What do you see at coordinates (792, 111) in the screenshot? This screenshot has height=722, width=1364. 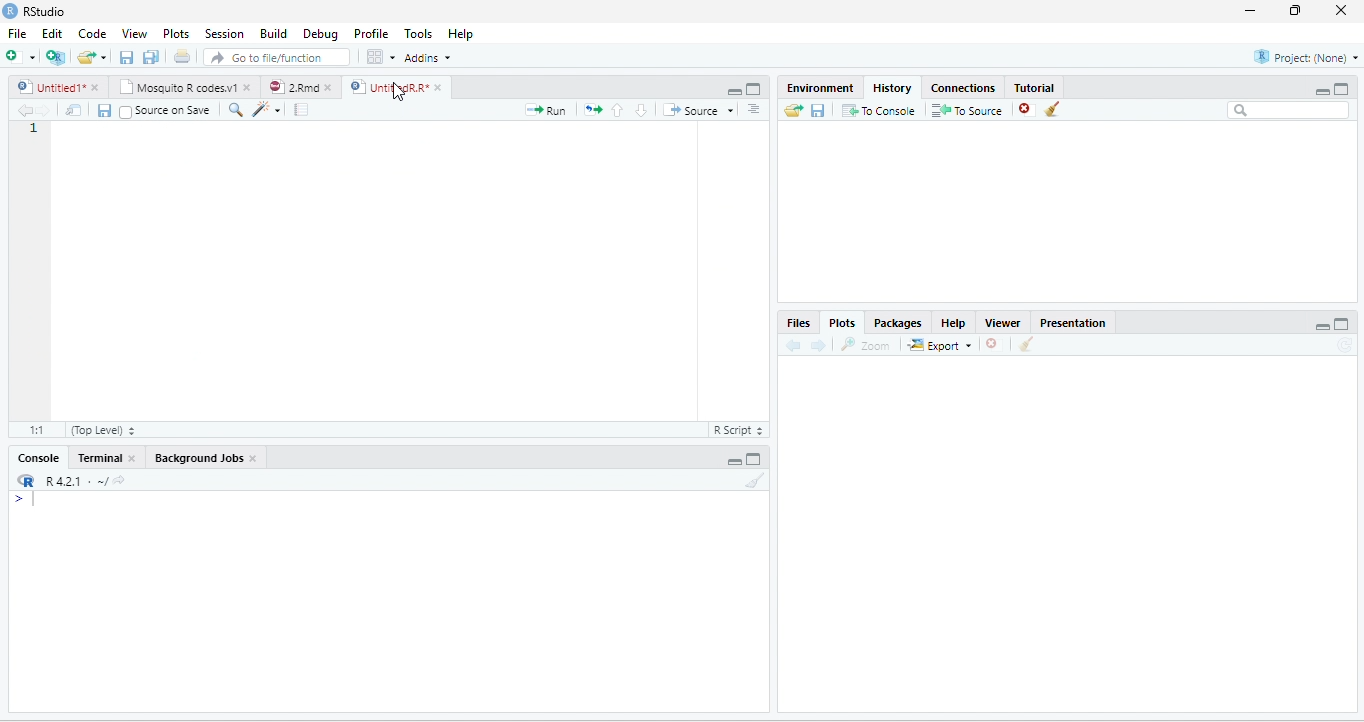 I see `Load history from an existing file` at bounding box center [792, 111].